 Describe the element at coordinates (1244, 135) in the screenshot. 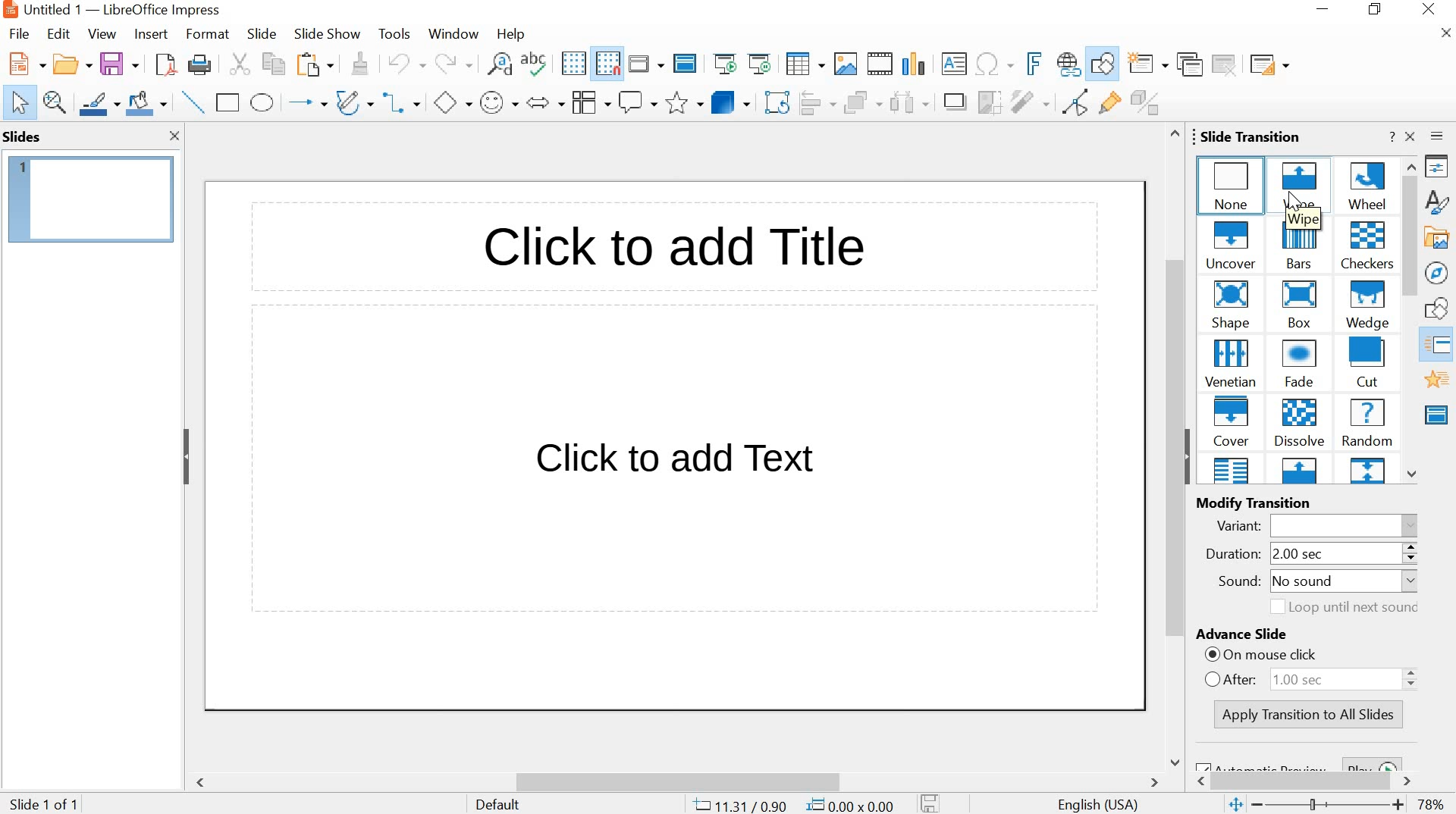

I see `slide transition` at that location.